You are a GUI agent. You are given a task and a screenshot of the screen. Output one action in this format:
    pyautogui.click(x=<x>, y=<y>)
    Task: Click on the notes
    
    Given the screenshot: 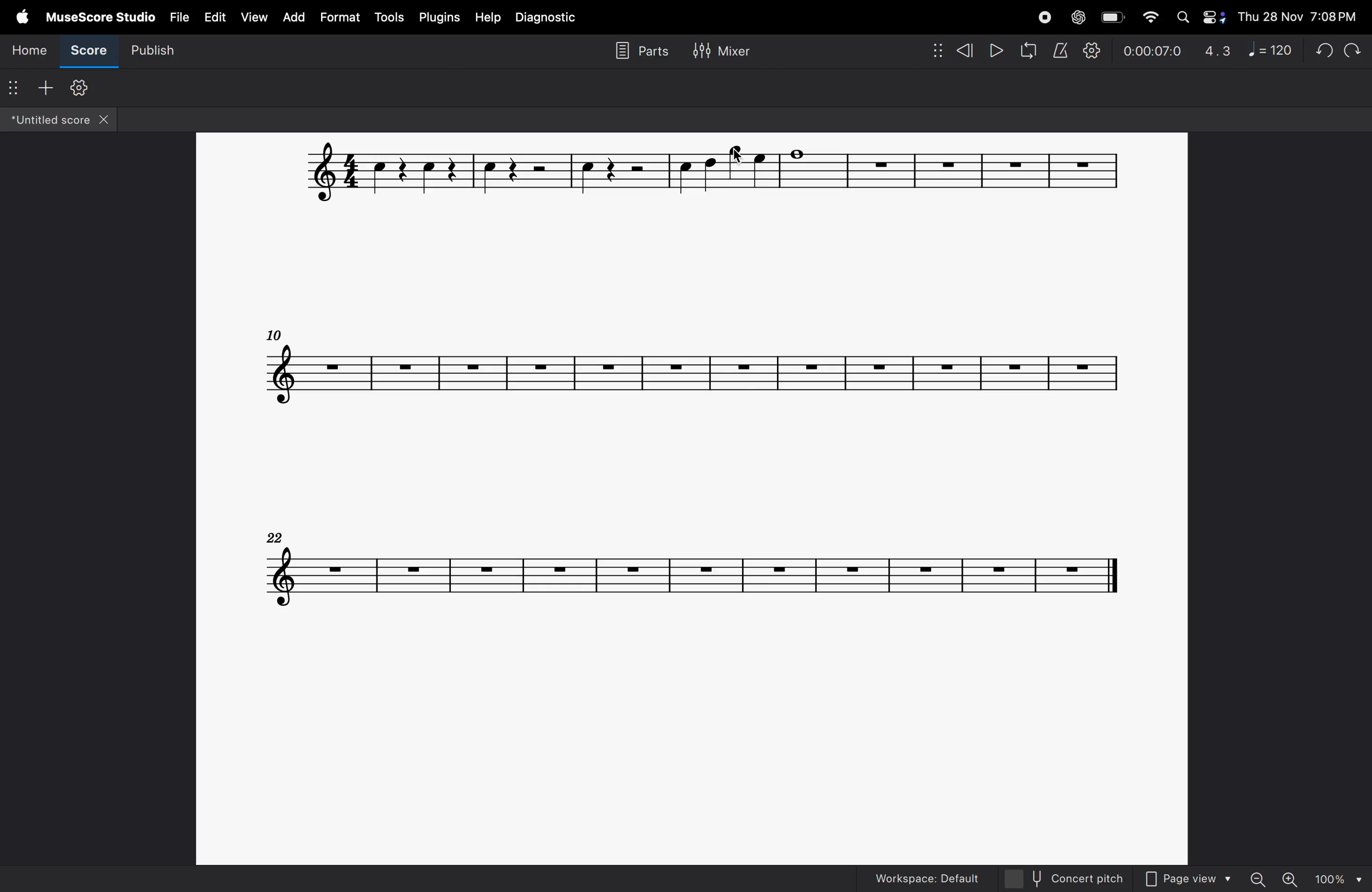 What is the action you would take?
    pyautogui.click(x=717, y=171)
    